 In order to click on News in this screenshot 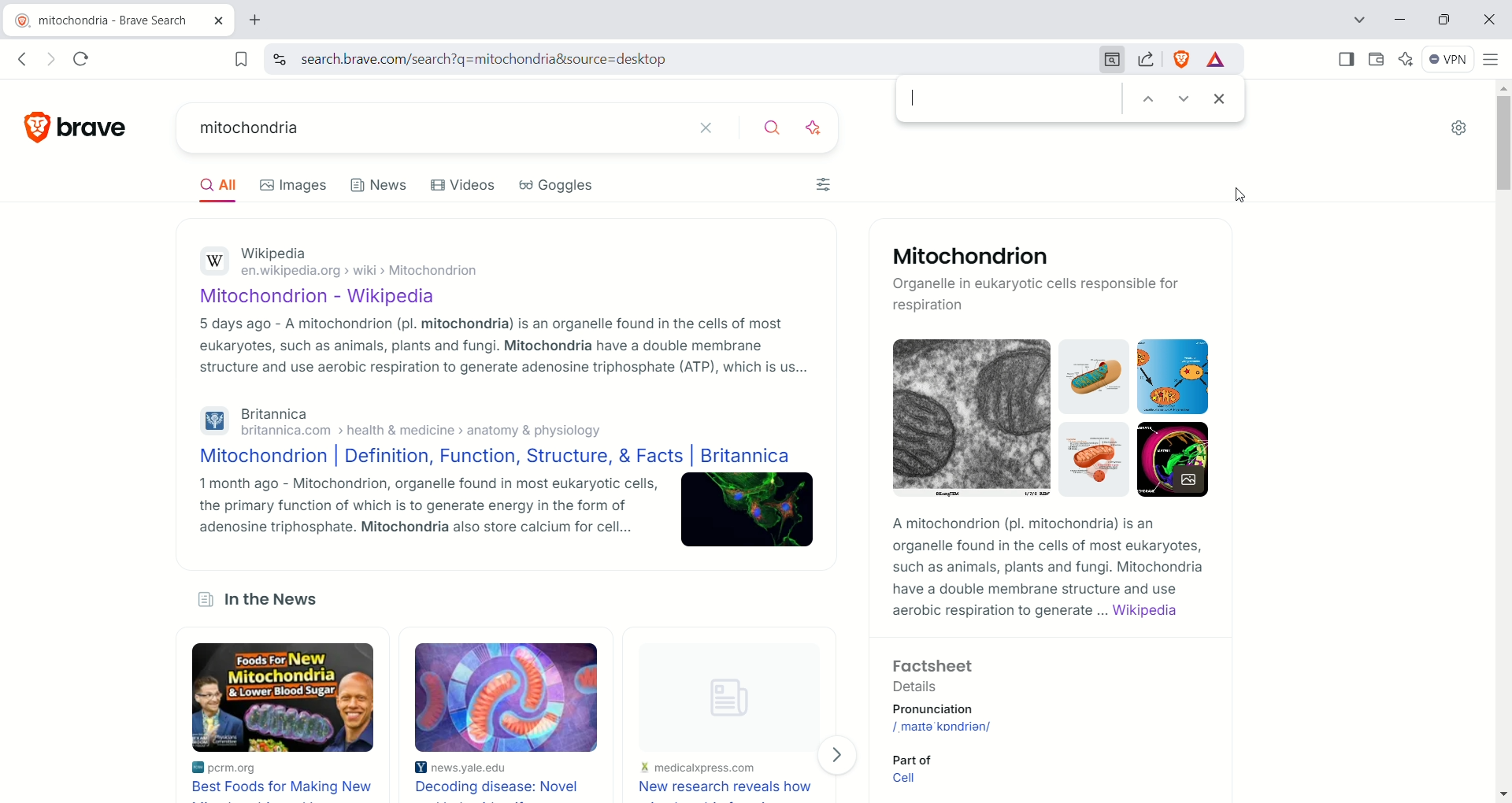, I will do `click(379, 185)`.